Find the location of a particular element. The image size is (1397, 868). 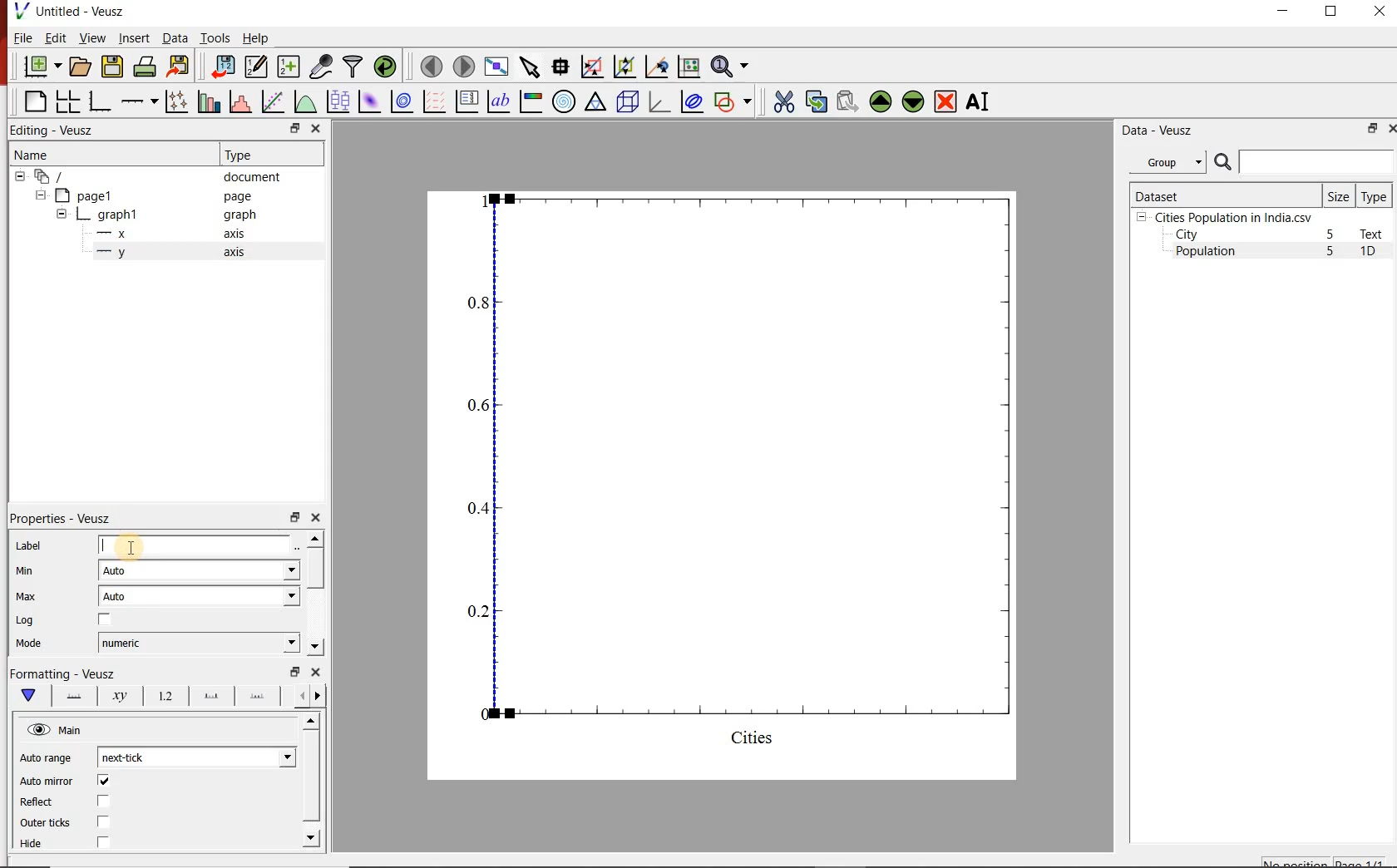

RESTORE is located at coordinates (1331, 12).